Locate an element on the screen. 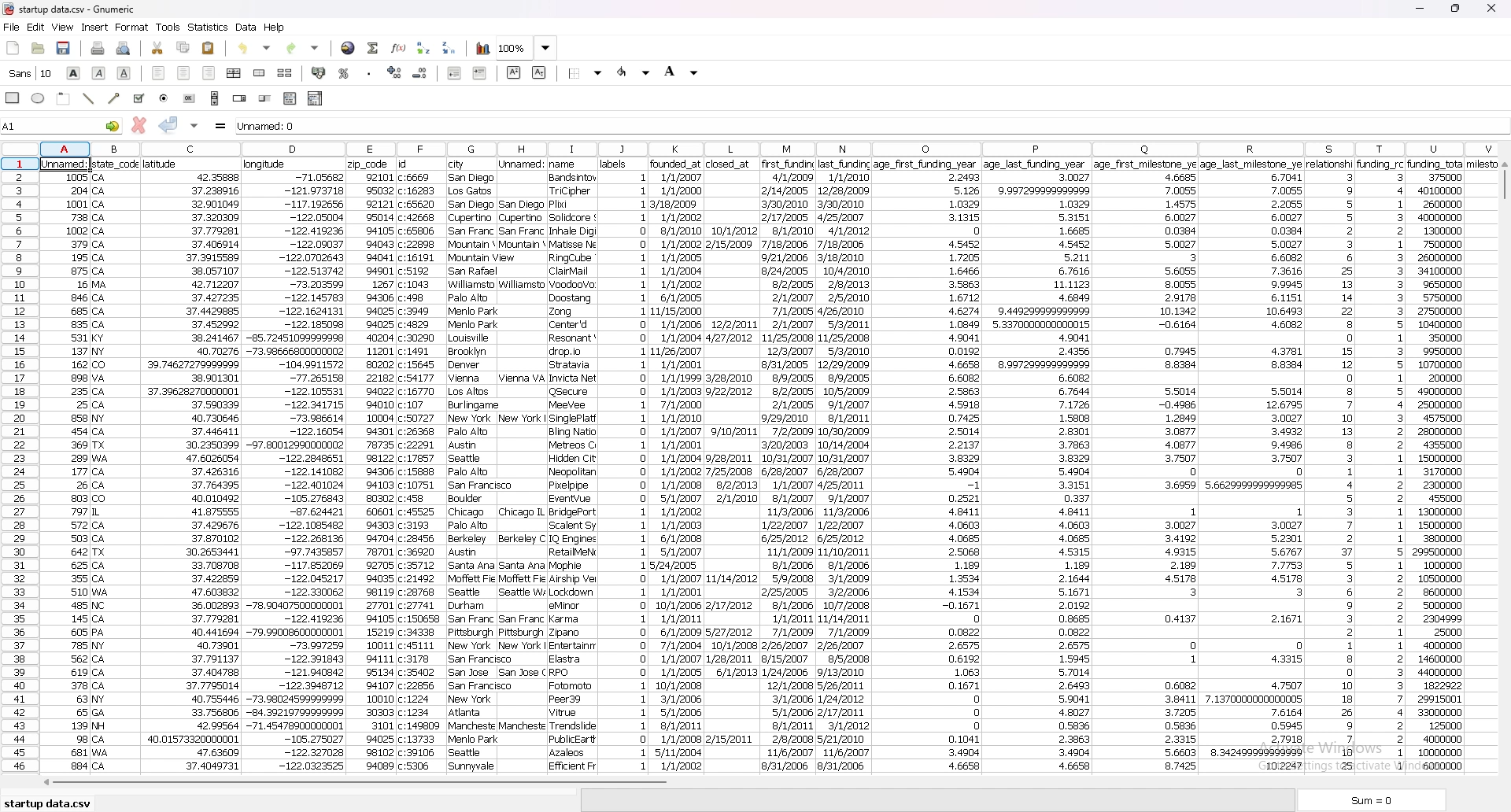 Image resolution: width=1511 pixels, height=812 pixels. split merged cell is located at coordinates (285, 73).